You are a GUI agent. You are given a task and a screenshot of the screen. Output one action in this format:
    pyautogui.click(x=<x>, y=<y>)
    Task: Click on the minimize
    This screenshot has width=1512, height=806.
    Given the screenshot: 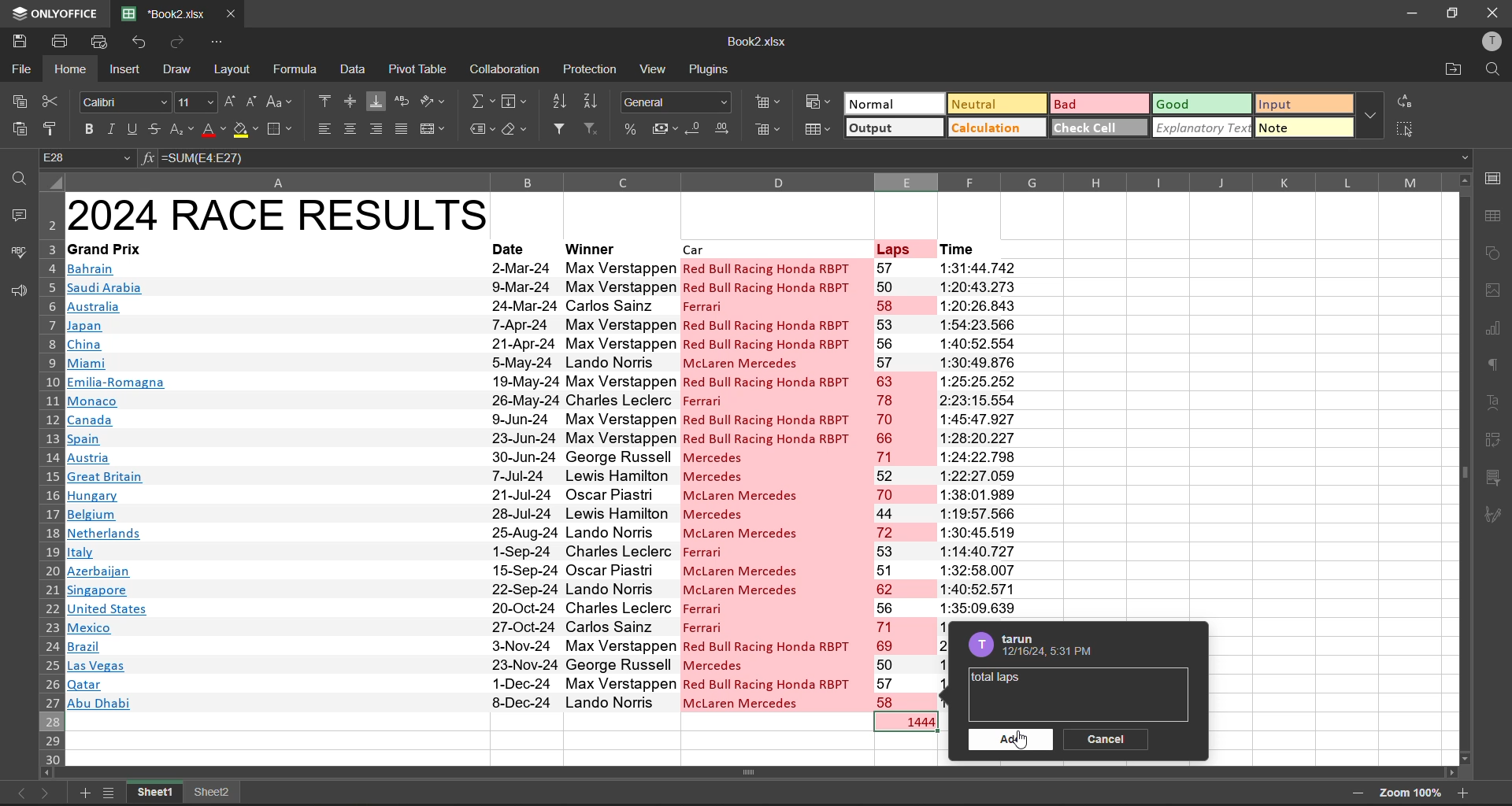 What is the action you would take?
    pyautogui.click(x=1409, y=14)
    